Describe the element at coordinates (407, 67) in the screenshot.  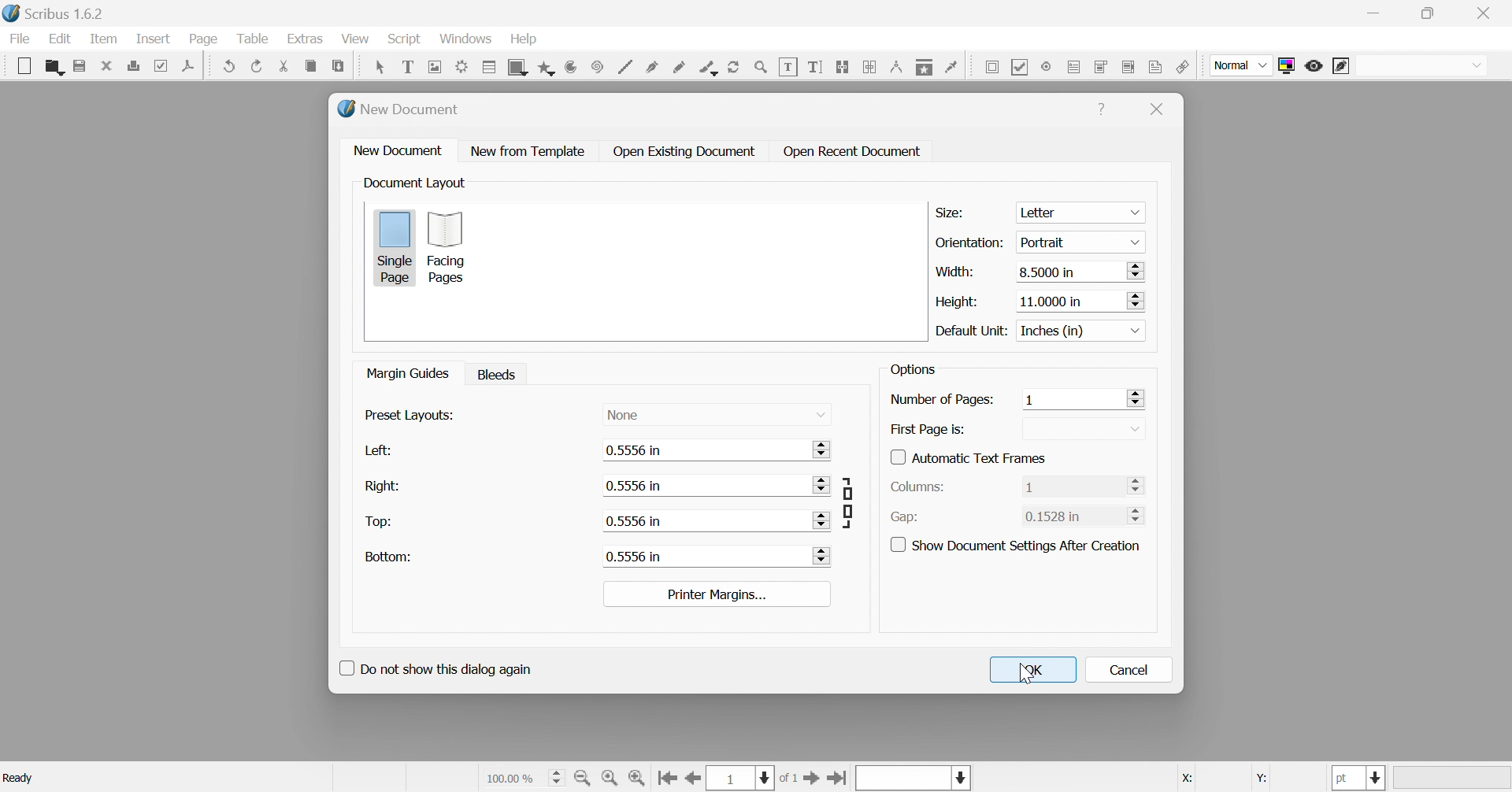
I see `text frame` at that location.